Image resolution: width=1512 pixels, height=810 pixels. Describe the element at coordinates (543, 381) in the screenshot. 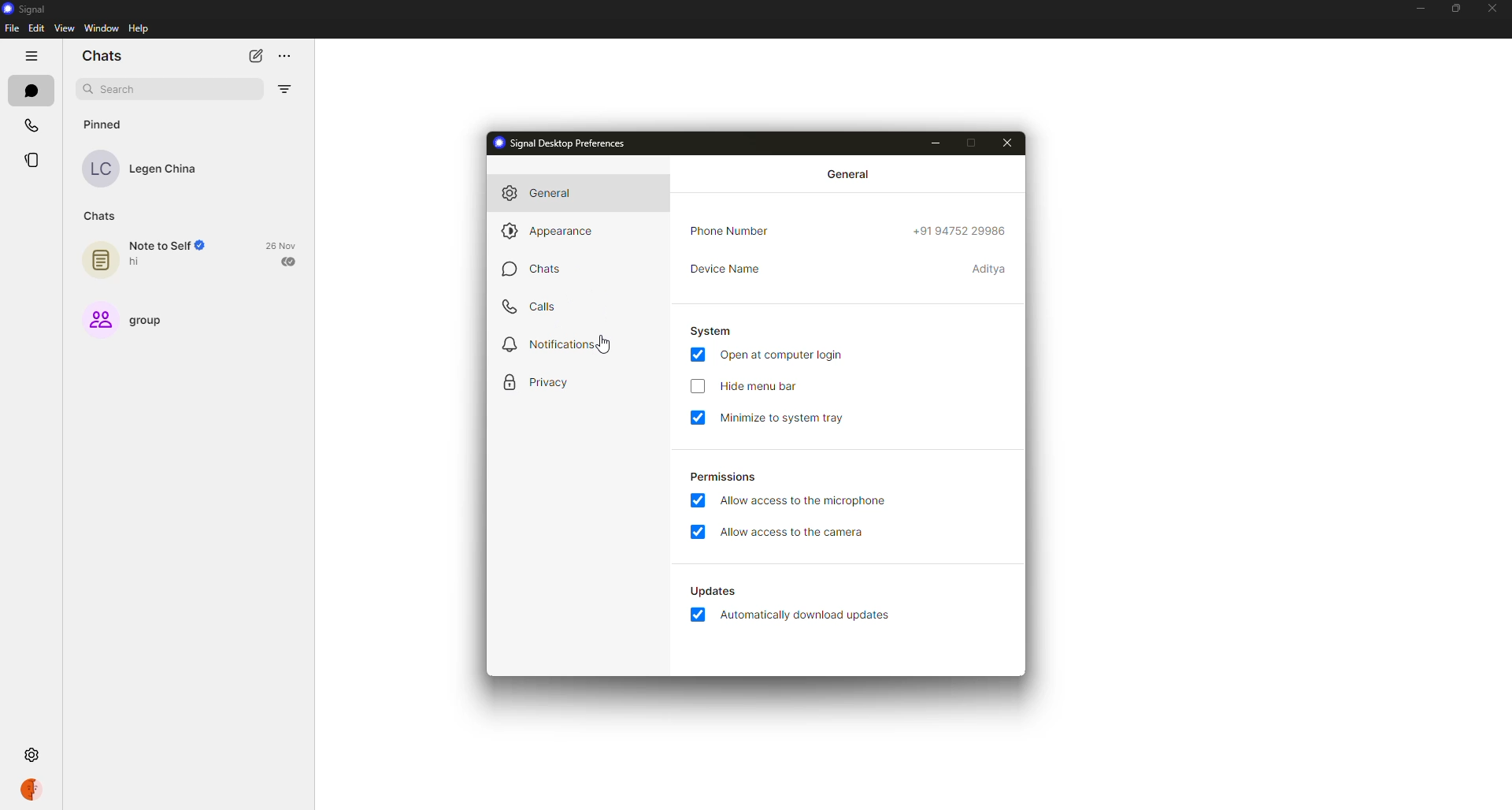

I see `privacy` at that location.